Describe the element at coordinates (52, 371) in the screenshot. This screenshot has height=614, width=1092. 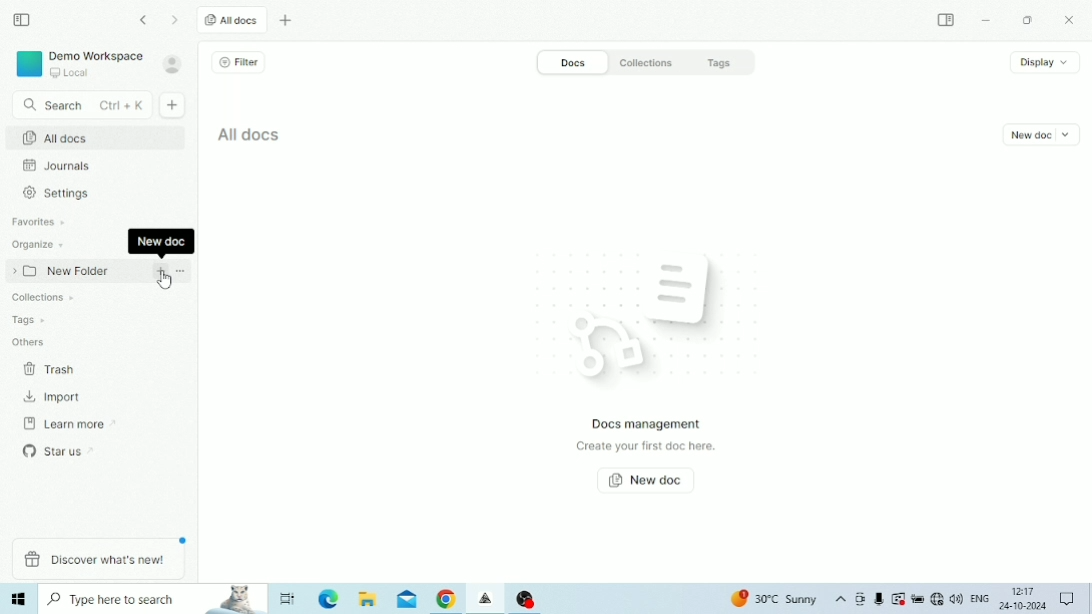
I see `Trash` at that location.